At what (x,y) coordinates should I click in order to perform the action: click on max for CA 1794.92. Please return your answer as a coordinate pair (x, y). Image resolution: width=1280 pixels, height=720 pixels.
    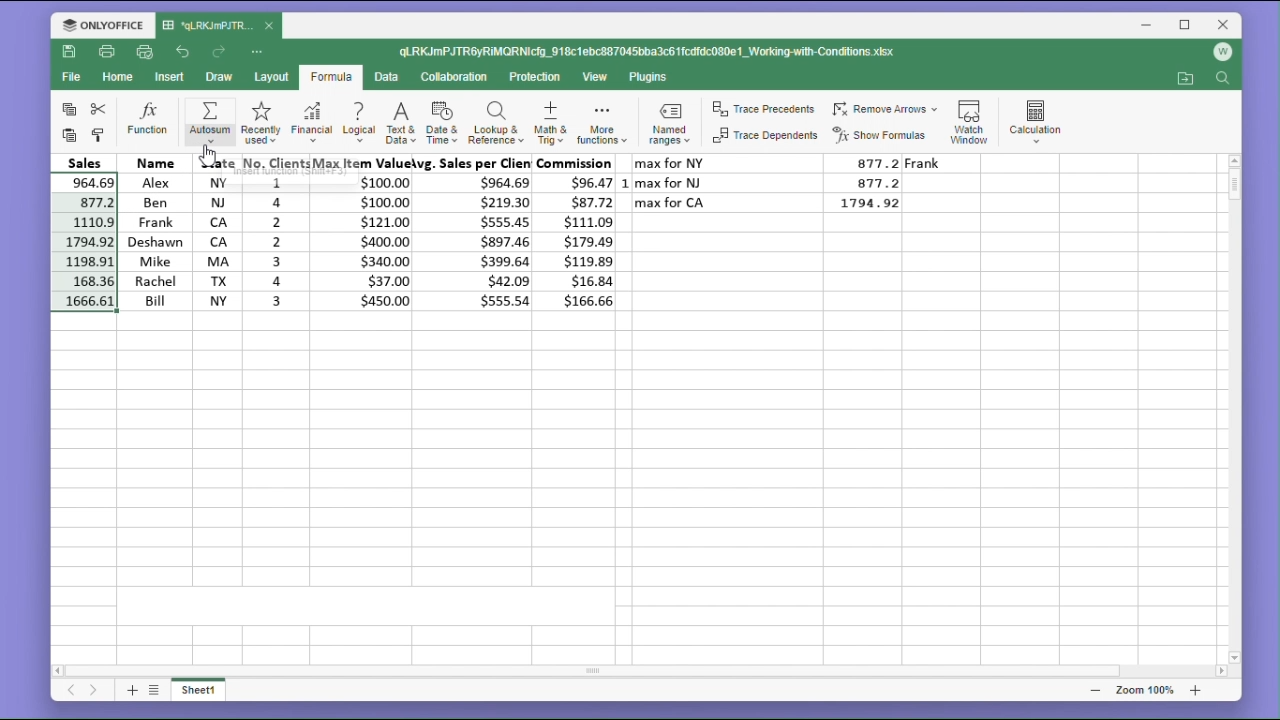
    Looking at the image, I should click on (774, 203).